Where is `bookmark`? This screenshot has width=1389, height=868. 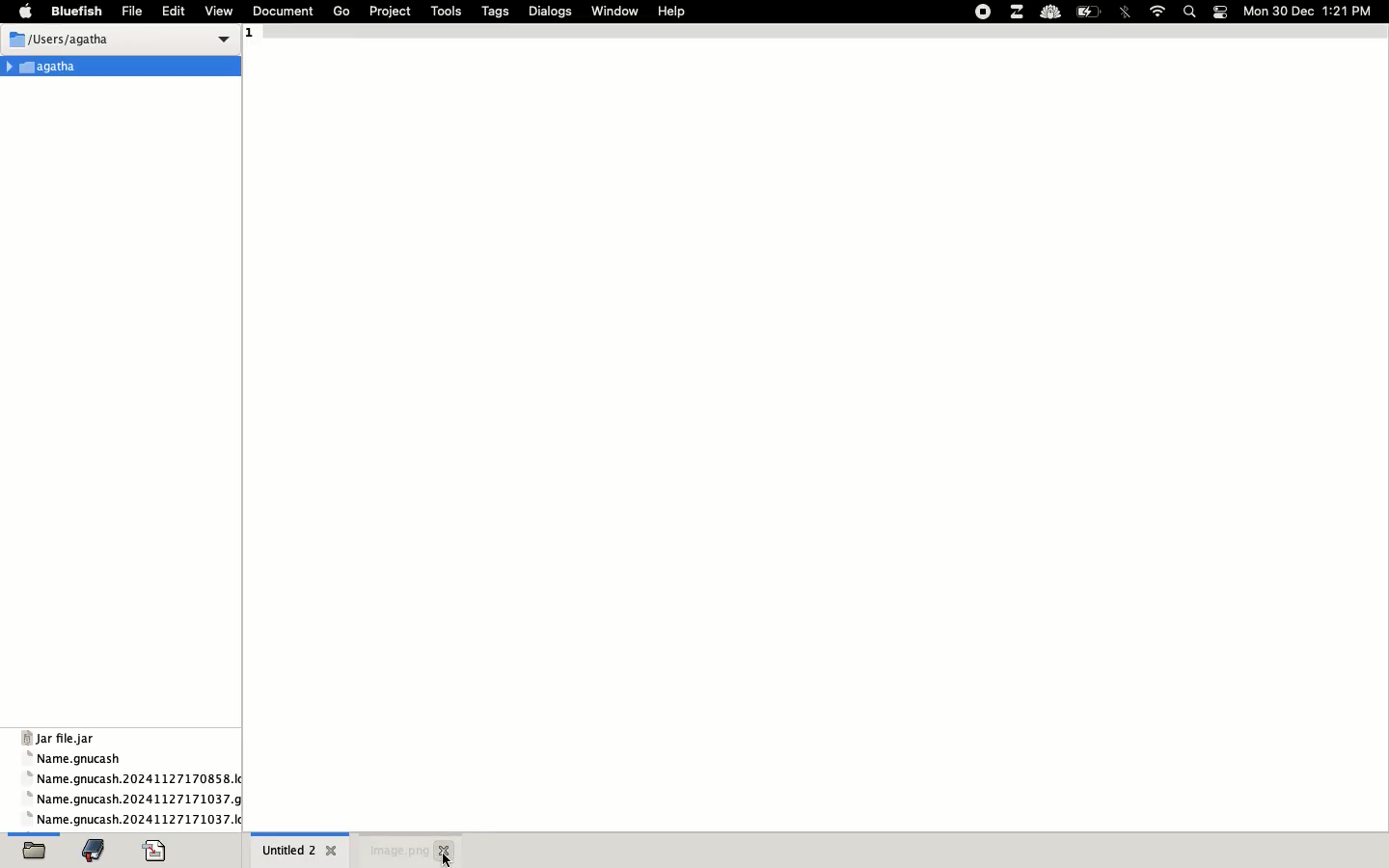
bookmark is located at coordinates (93, 848).